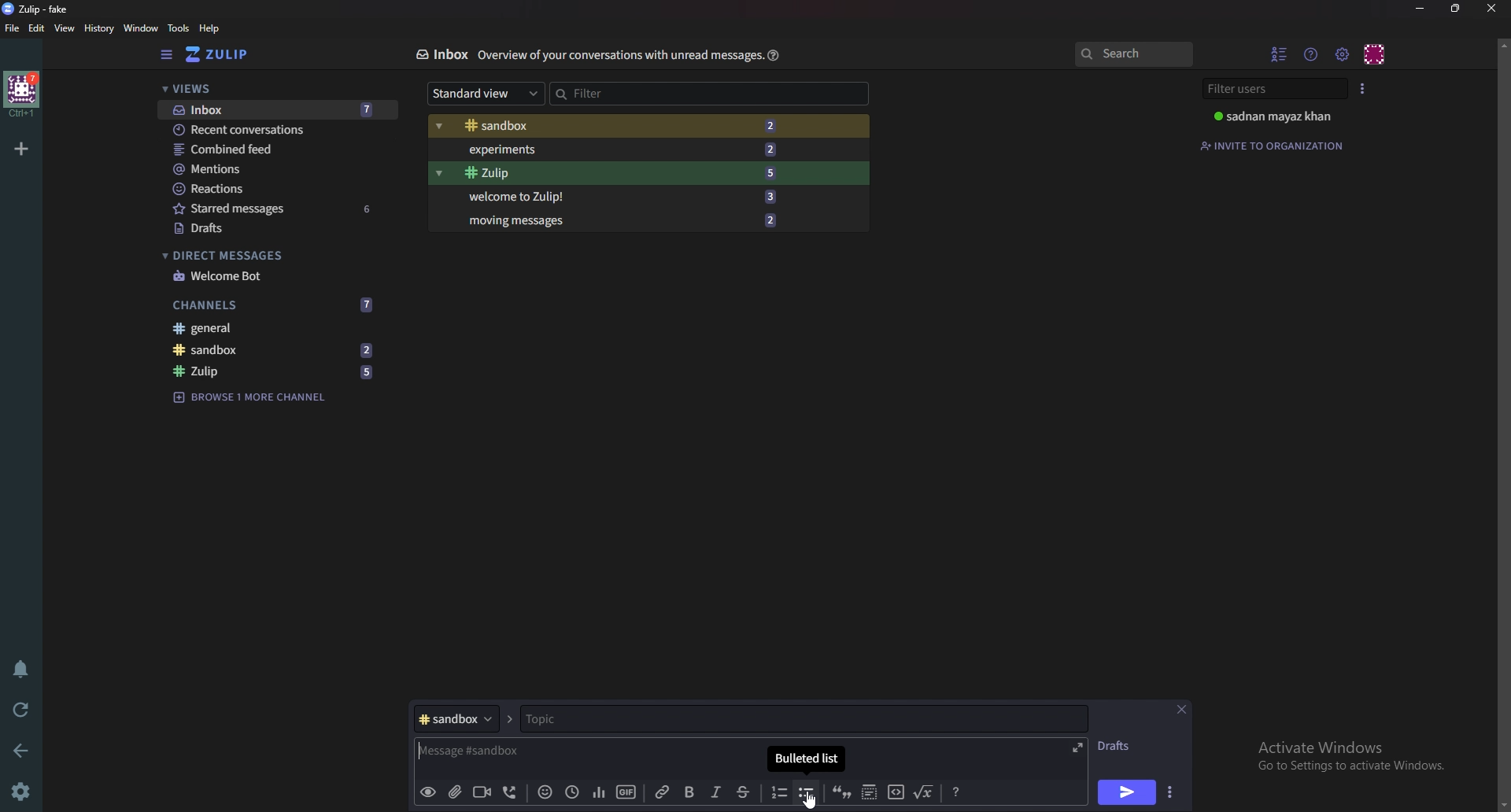 The image size is (1511, 812). What do you see at coordinates (571, 792) in the screenshot?
I see `Global time` at bounding box center [571, 792].